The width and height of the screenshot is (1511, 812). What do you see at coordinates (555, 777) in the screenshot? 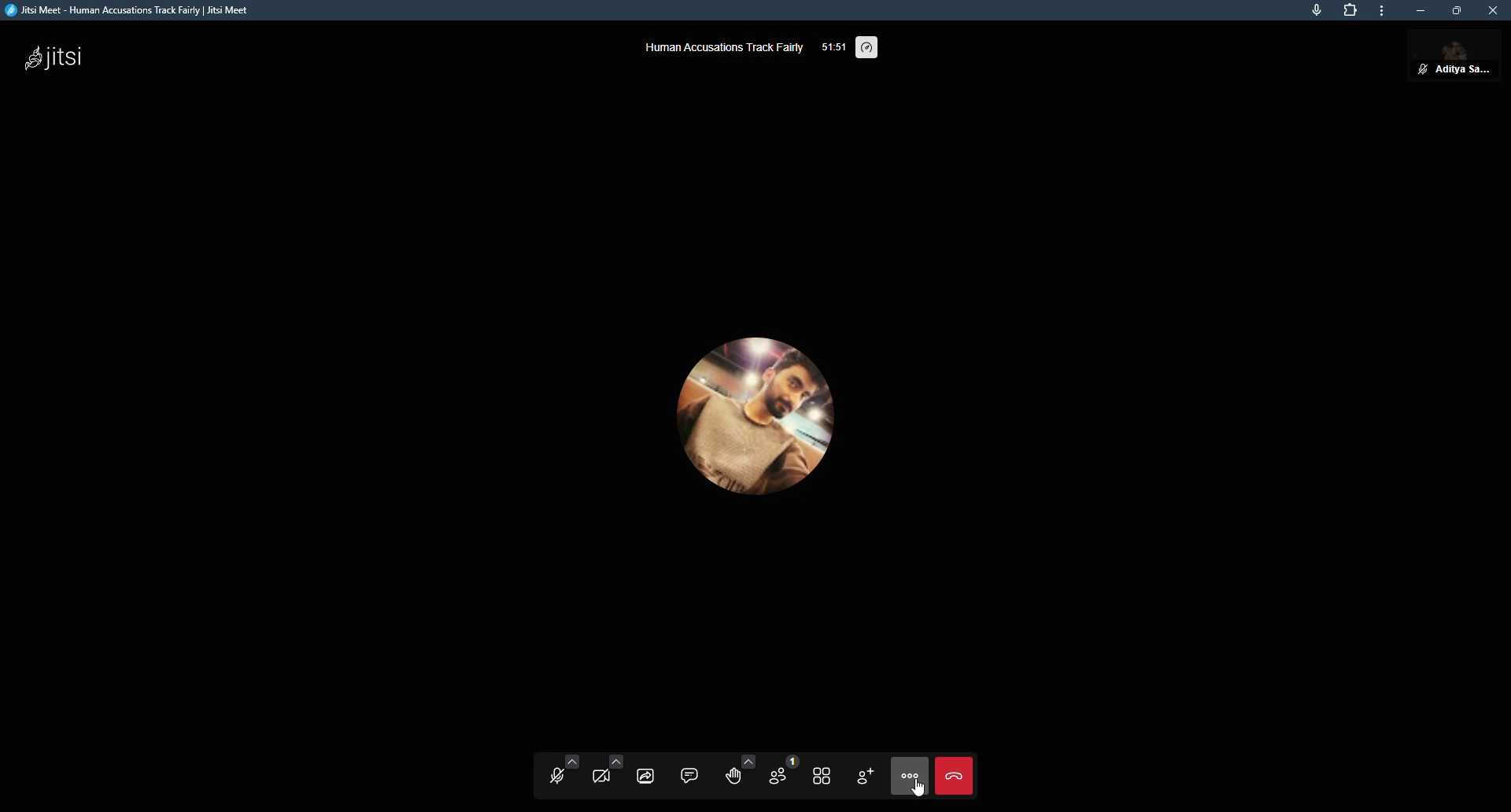
I see `start microphone` at bounding box center [555, 777].